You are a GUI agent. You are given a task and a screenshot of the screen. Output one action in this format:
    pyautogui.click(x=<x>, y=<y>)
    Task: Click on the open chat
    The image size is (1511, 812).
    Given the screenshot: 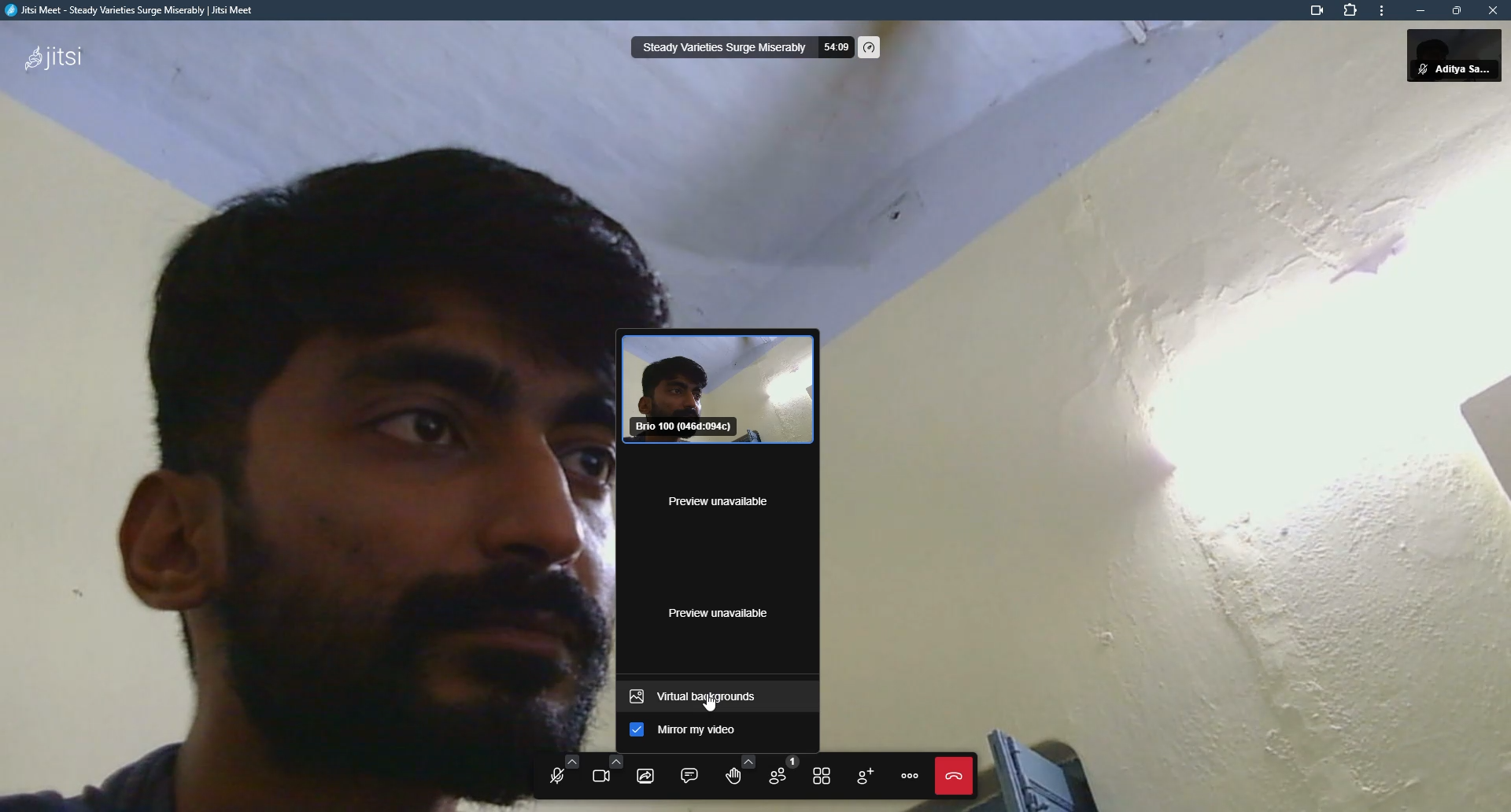 What is the action you would take?
    pyautogui.click(x=689, y=774)
    